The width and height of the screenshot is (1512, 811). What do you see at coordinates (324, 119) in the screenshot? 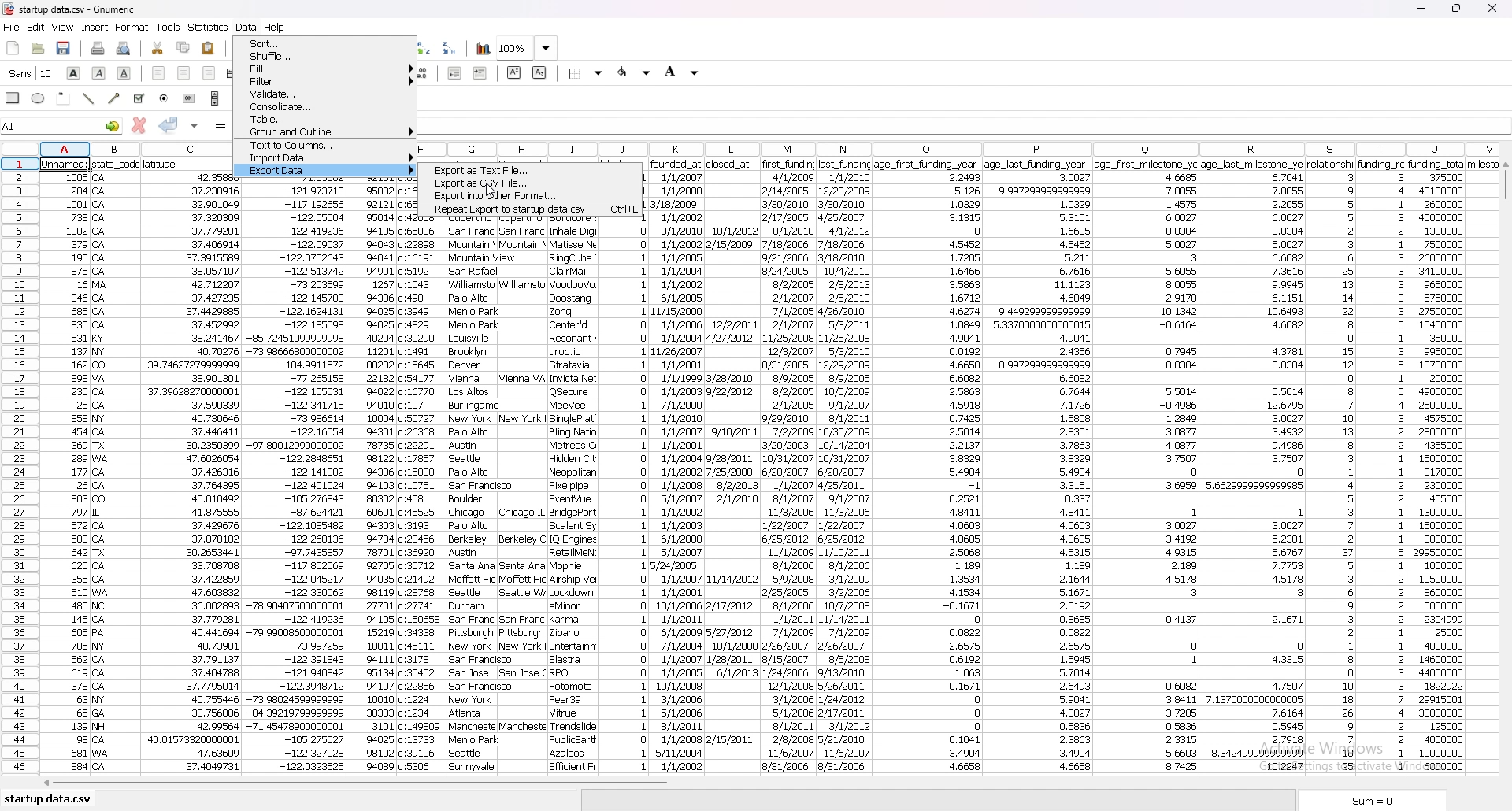
I see `table` at bounding box center [324, 119].